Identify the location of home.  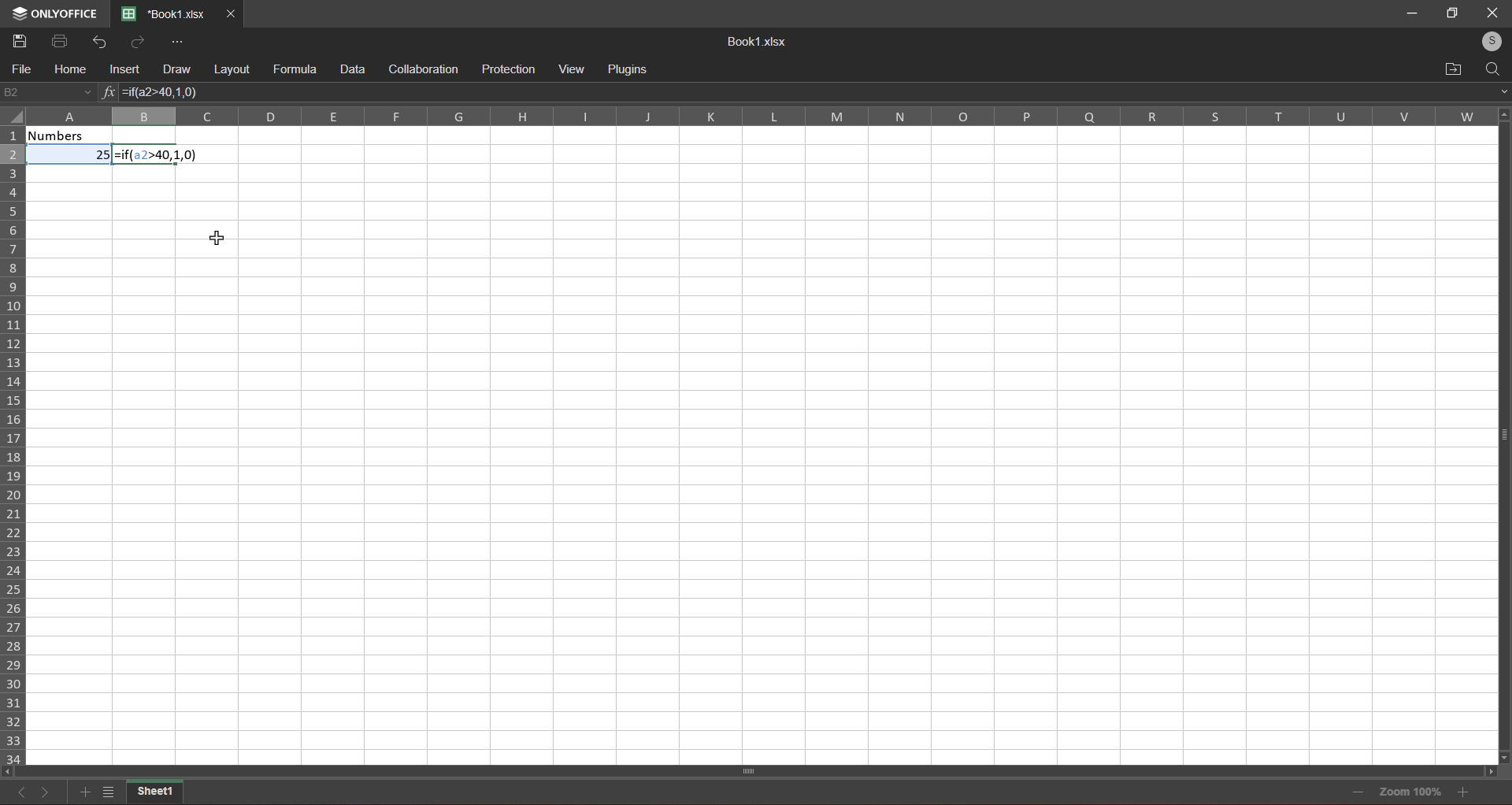
(66, 70).